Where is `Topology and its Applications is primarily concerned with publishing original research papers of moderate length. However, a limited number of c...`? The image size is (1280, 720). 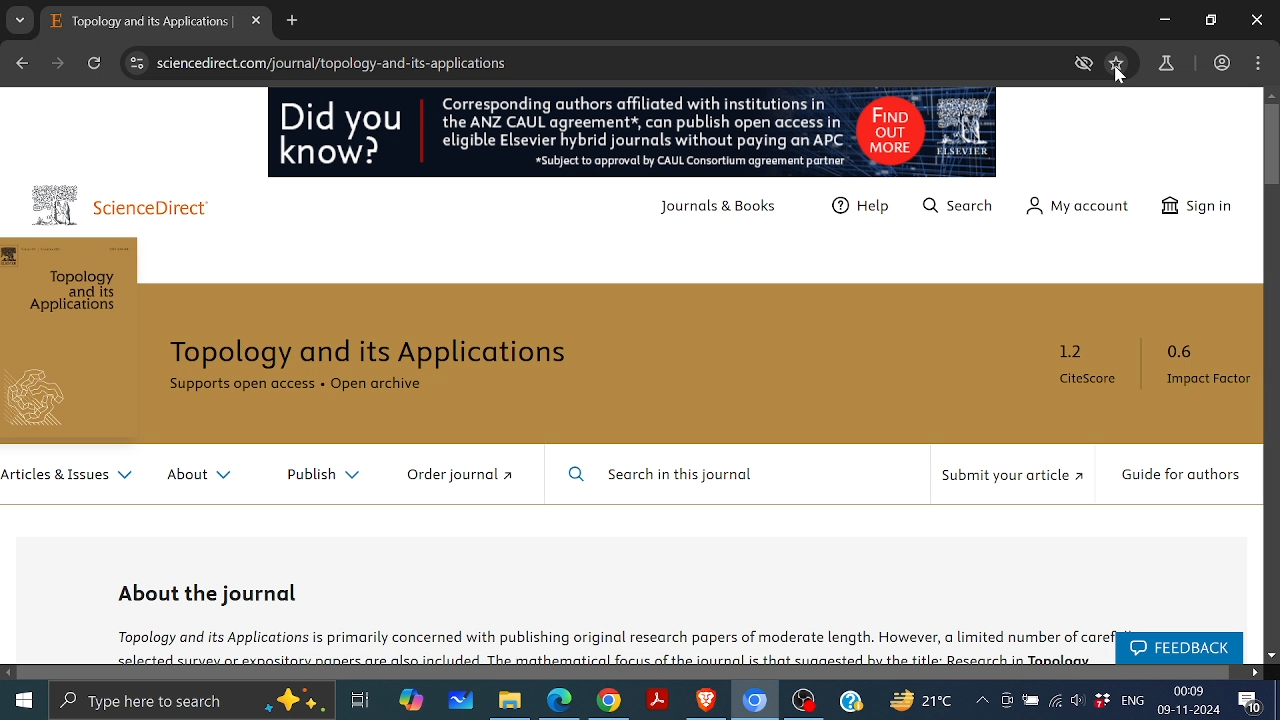
Topology and its Applications is primarily concerned with publishing original research papers of moderate length. However, a limited number of c... is located at coordinates (607, 644).